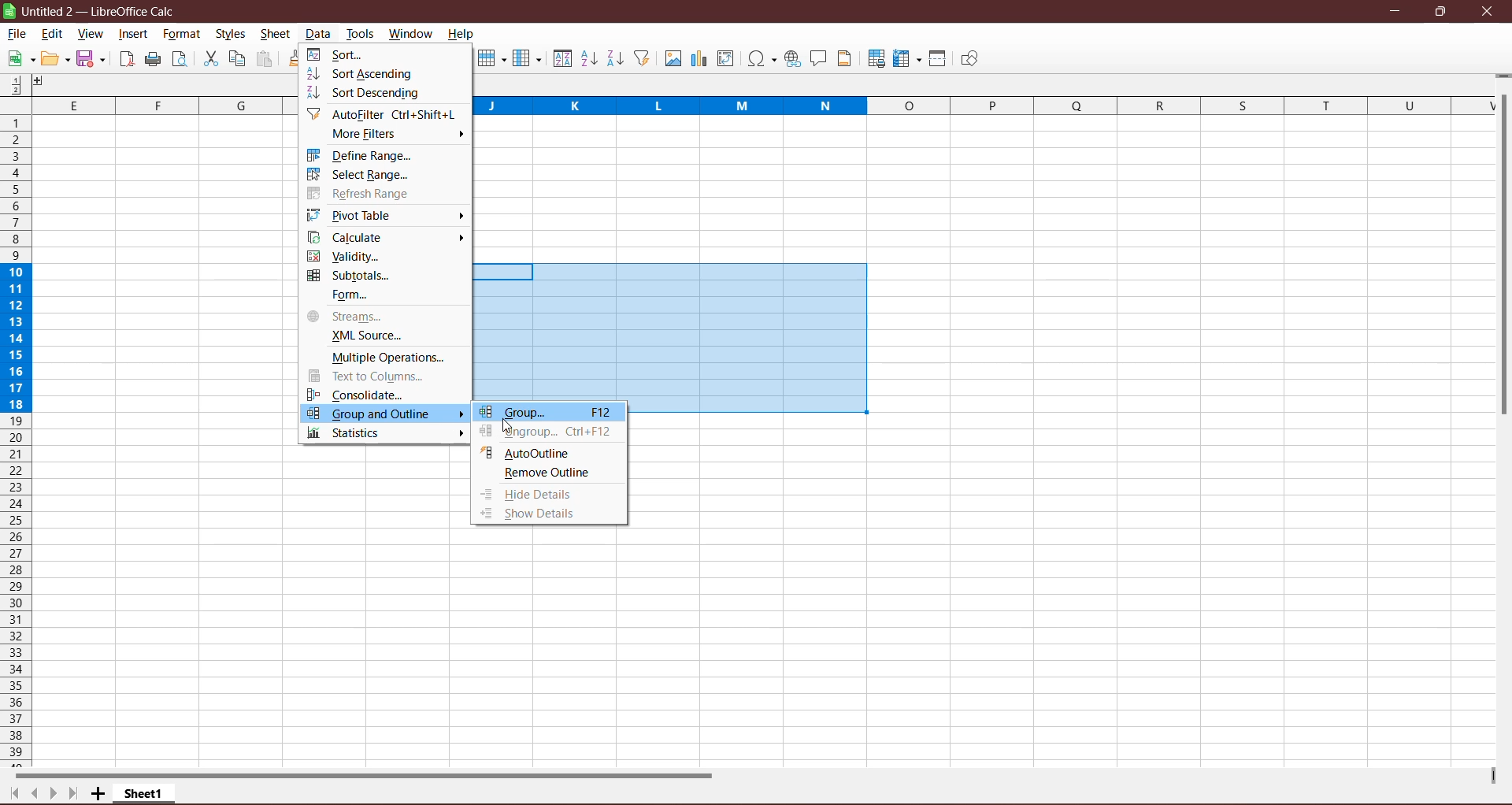  What do you see at coordinates (374, 774) in the screenshot?
I see `Horizontal Scroll Bar` at bounding box center [374, 774].